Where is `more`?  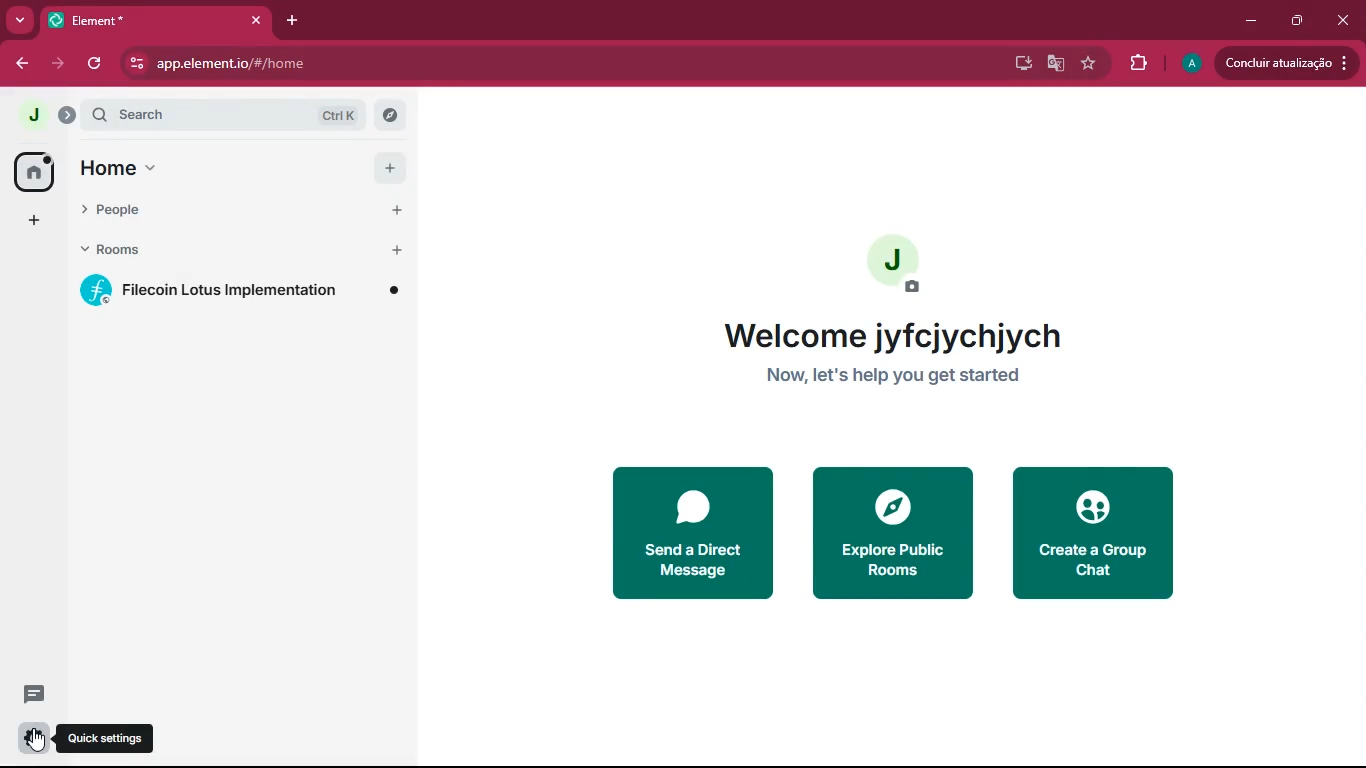
more is located at coordinates (34, 220).